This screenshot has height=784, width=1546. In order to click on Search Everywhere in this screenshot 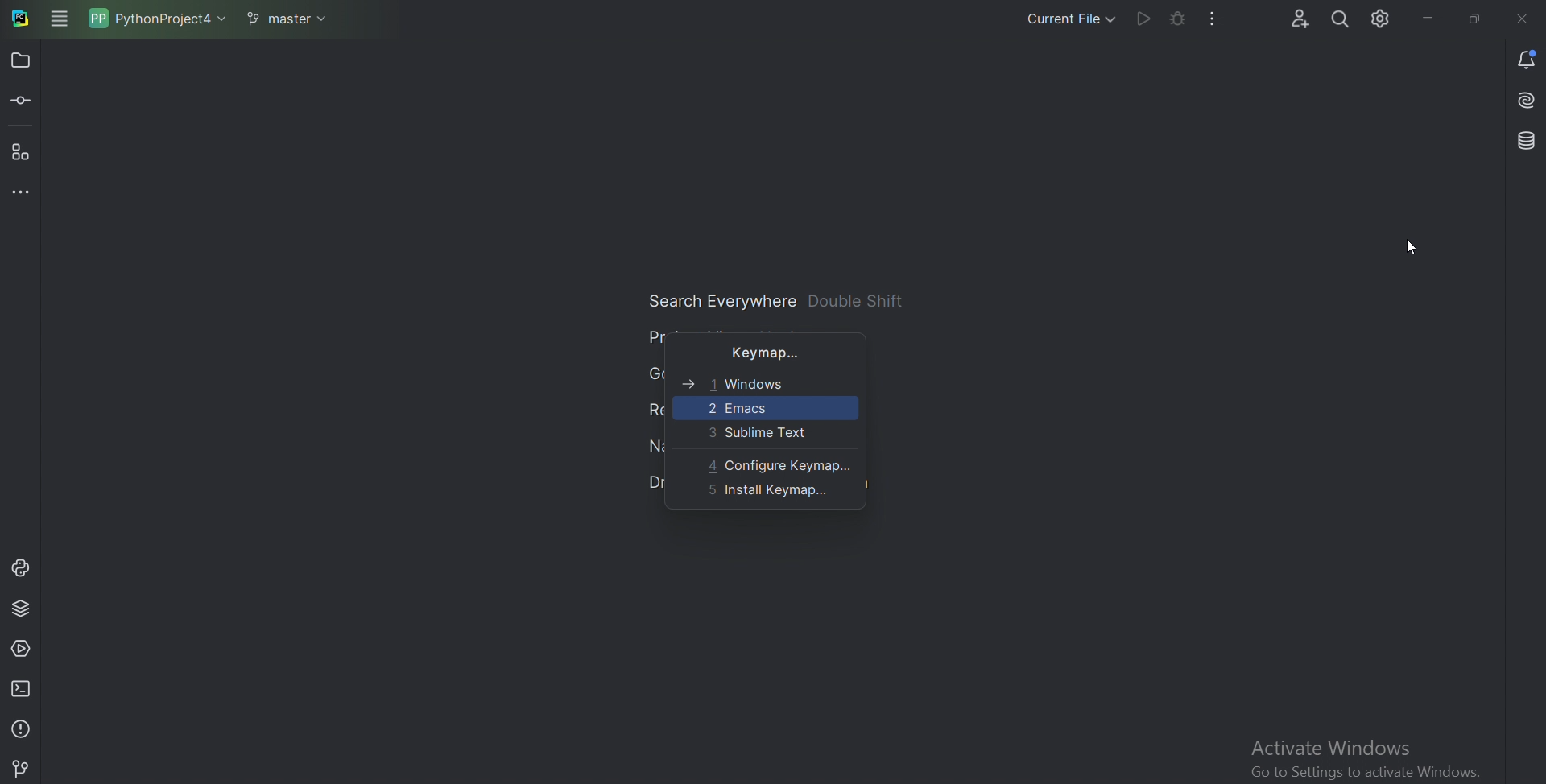, I will do `click(1340, 20)`.